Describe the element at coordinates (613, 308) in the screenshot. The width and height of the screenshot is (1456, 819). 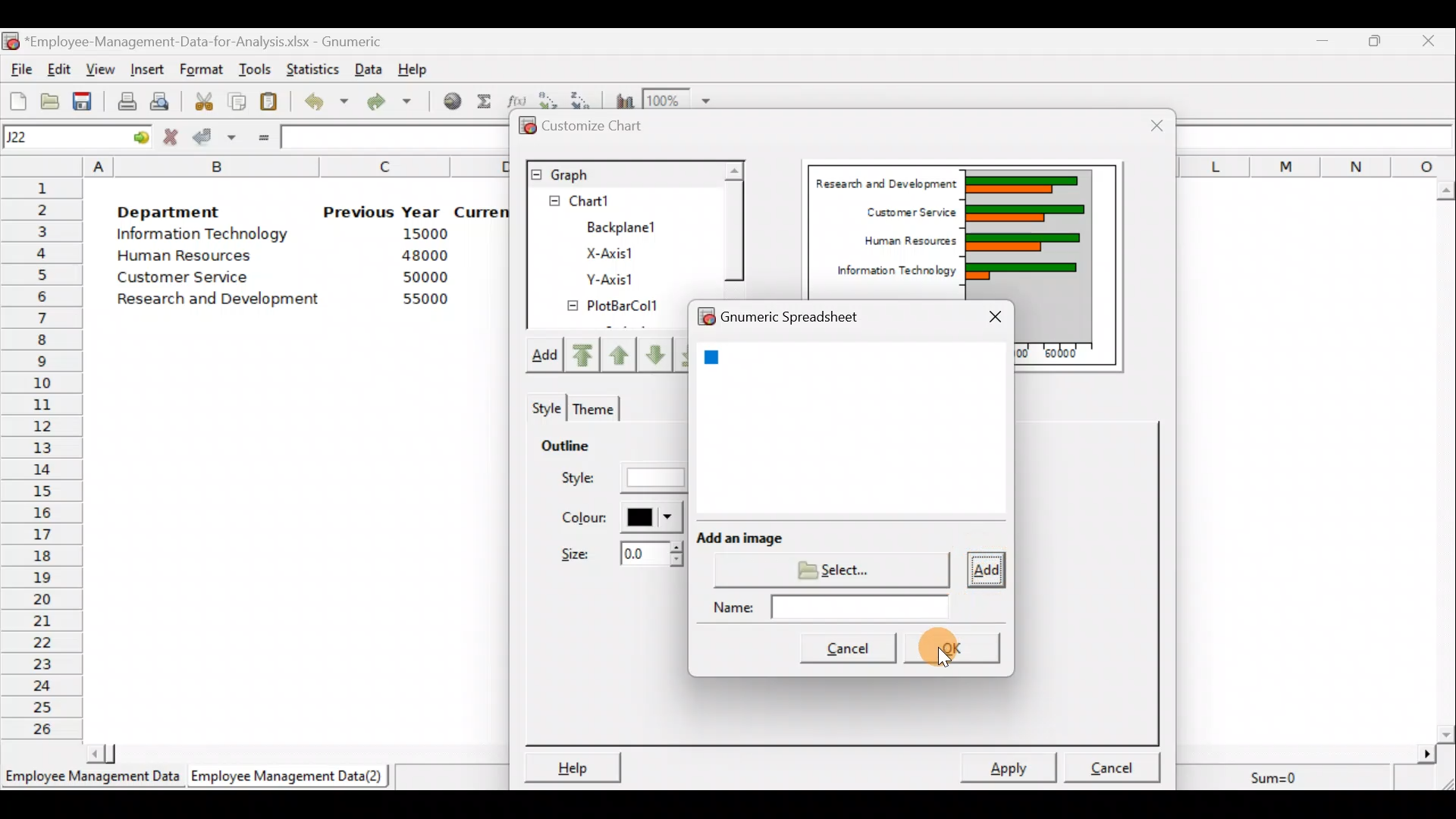
I see `PlotBarCol1` at that location.